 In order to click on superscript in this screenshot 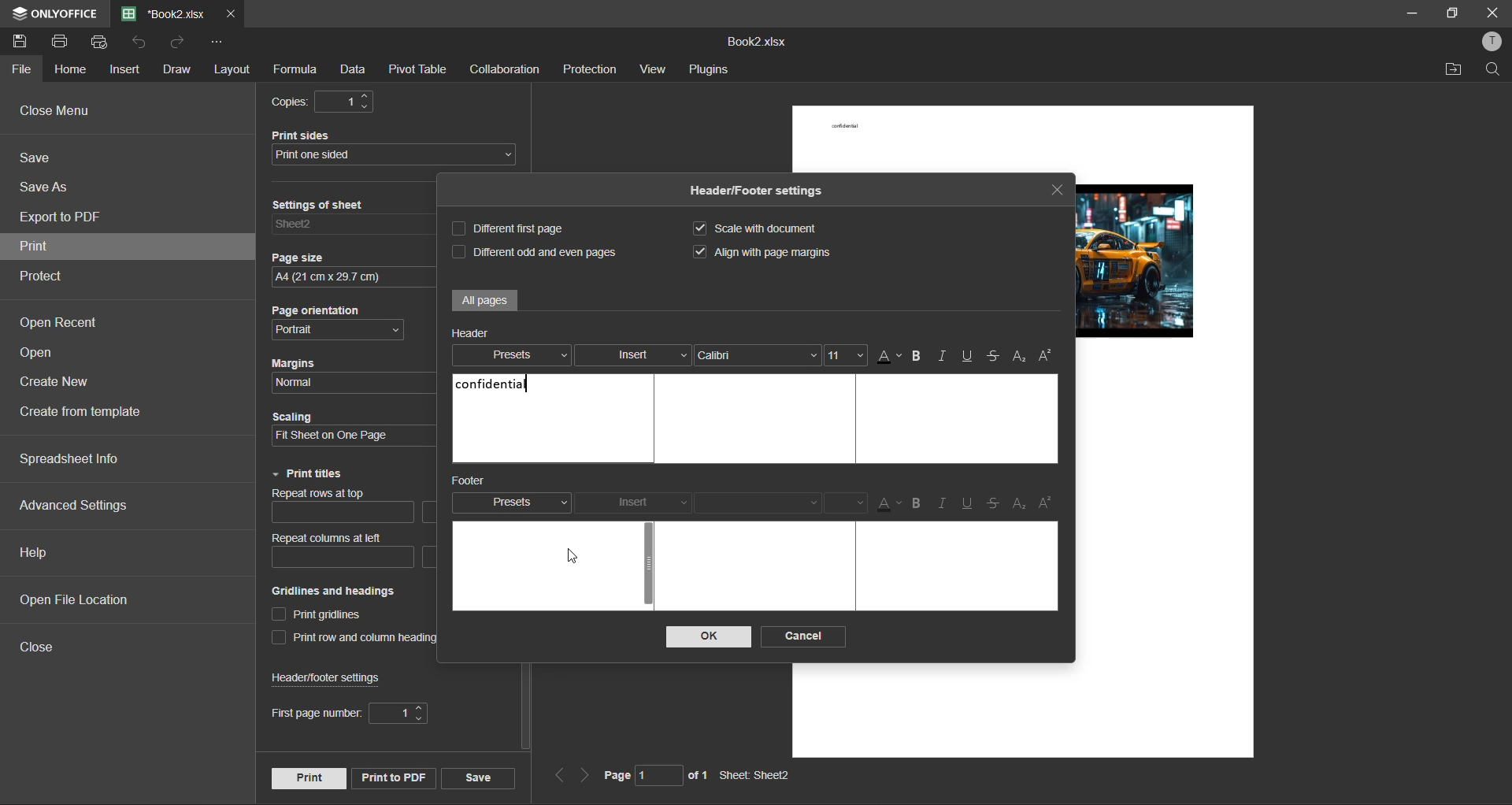, I will do `click(1047, 506)`.